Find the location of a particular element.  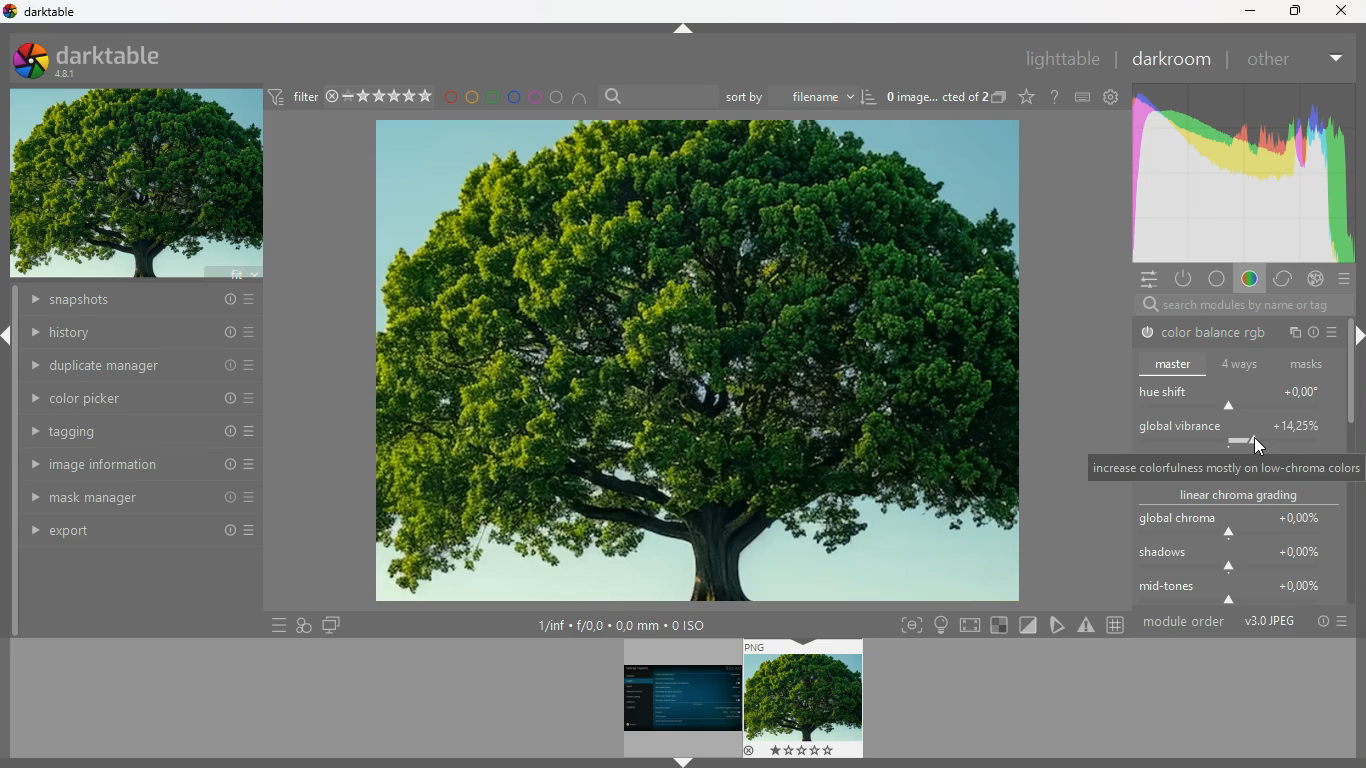

semi circle is located at coordinates (585, 101).